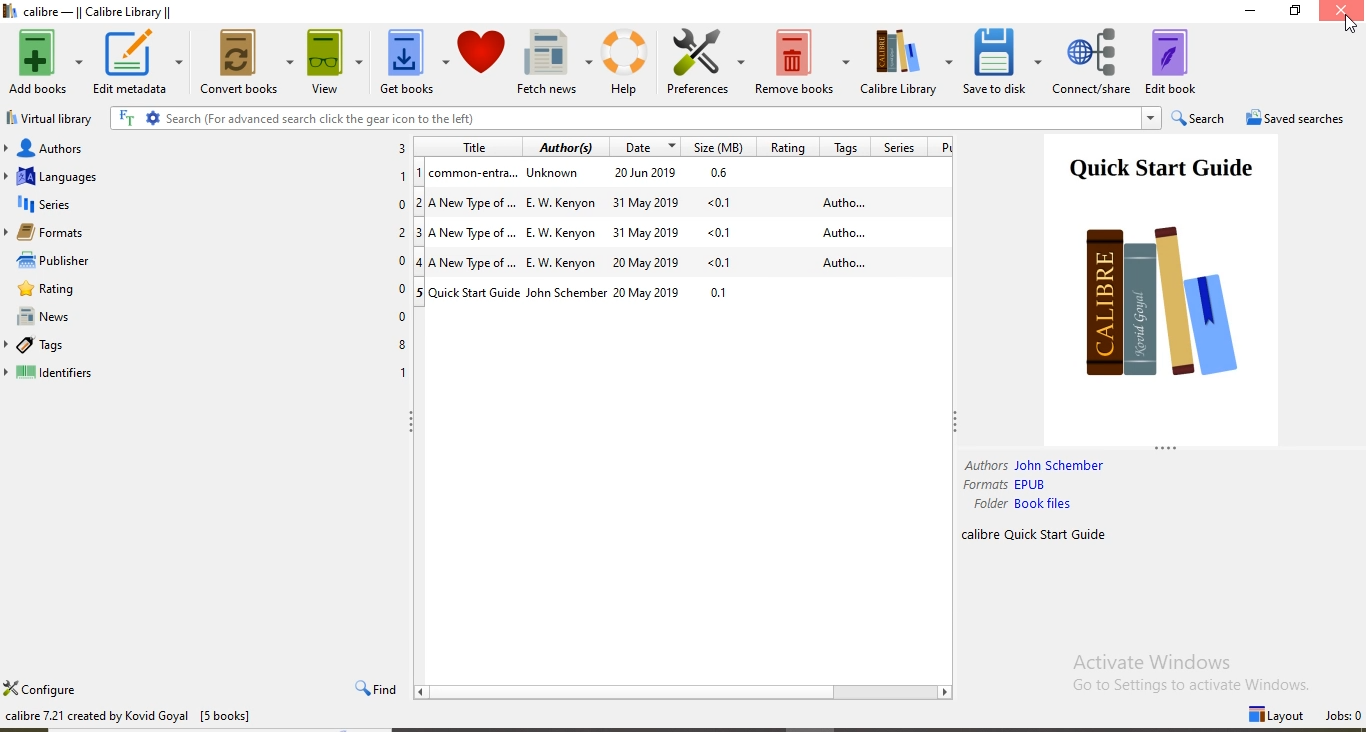 The image size is (1366, 732). Describe the element at coordinates (476, 292) in the screenshot. I see `Quick Start Guide` at that location.